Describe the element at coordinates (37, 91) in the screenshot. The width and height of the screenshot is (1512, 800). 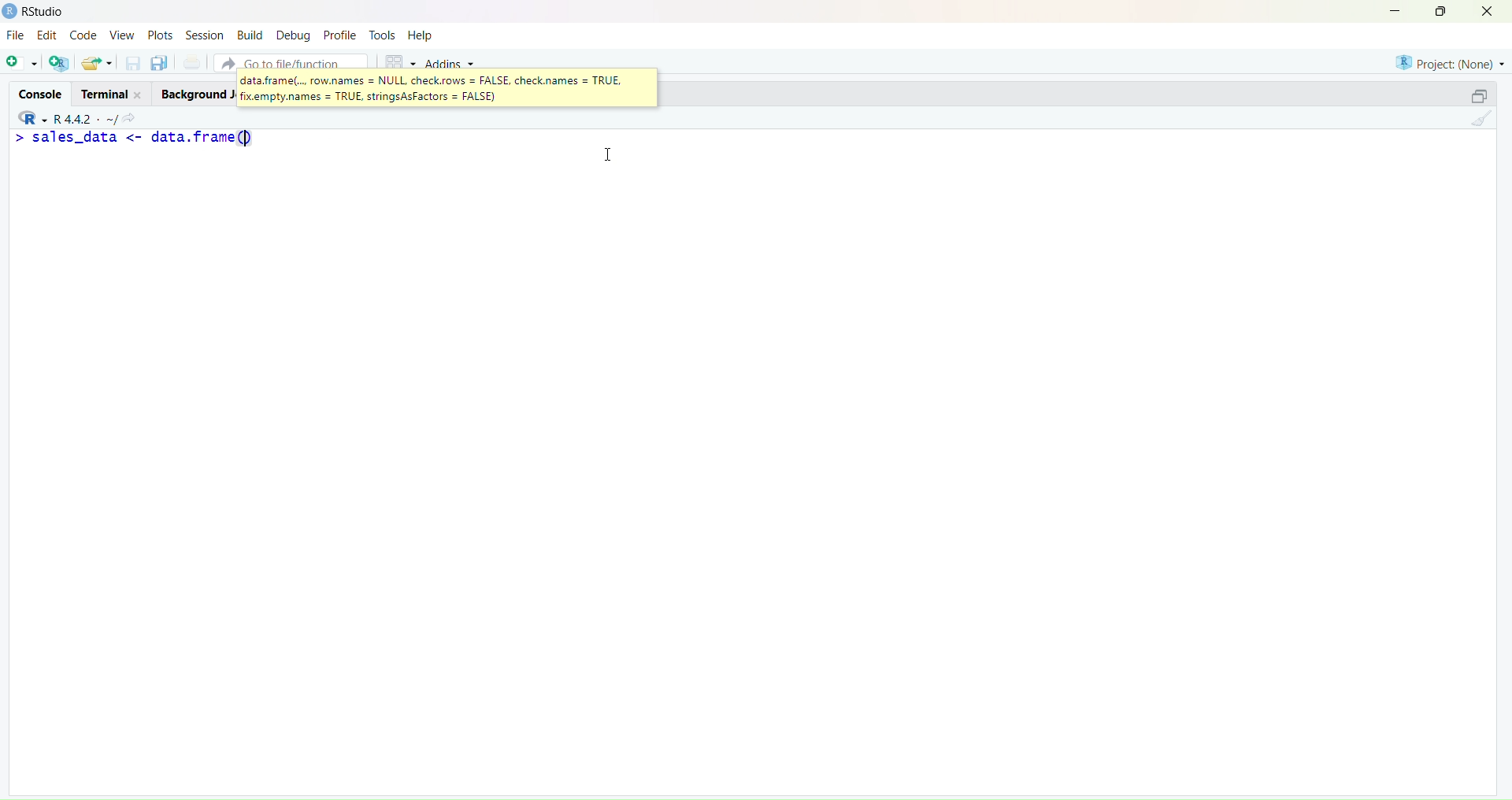
I see `Console` at that location.